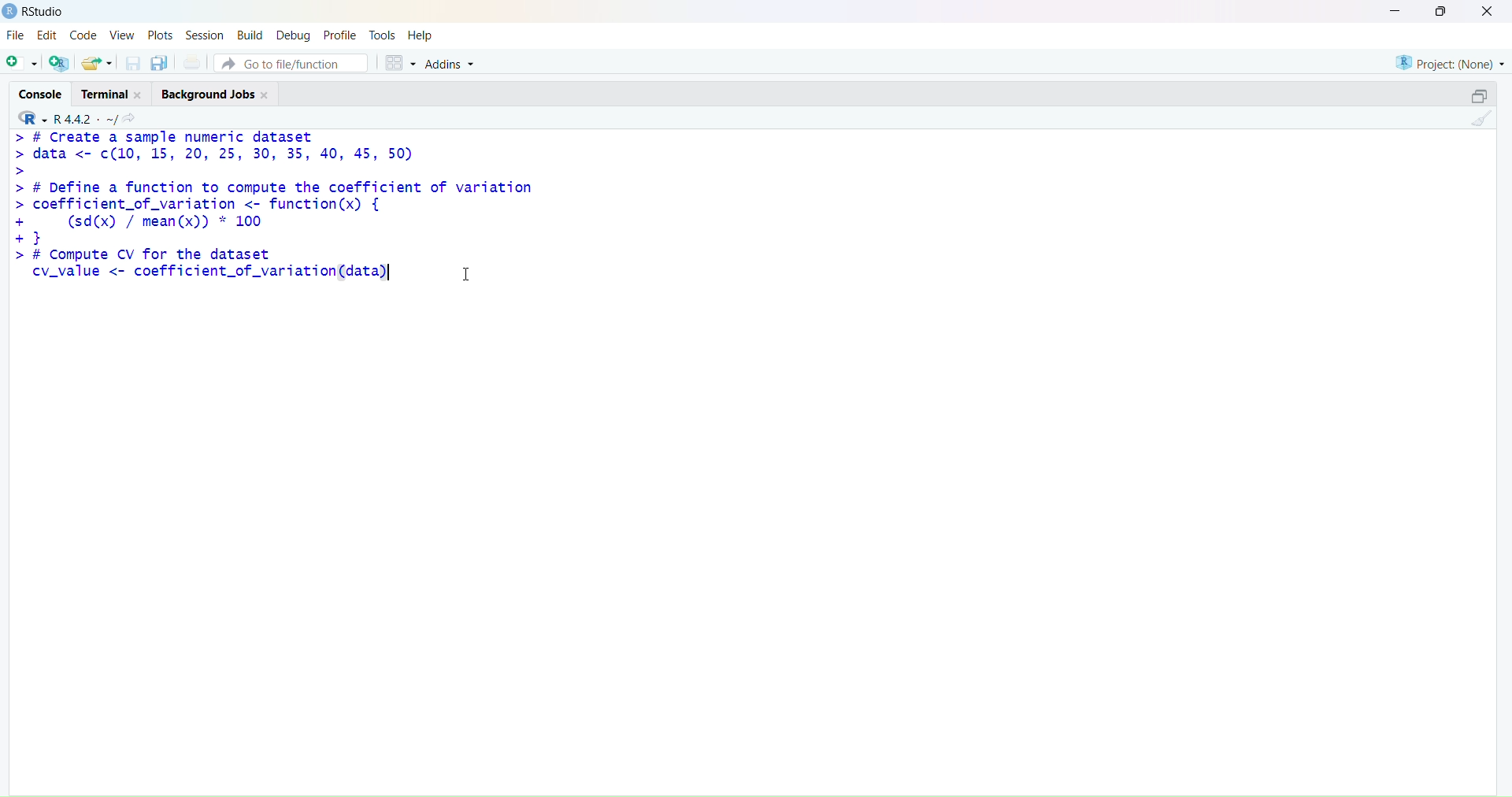  Describe the element at coordinates (47, 35) in the screenshot. I see `edit` at that location.